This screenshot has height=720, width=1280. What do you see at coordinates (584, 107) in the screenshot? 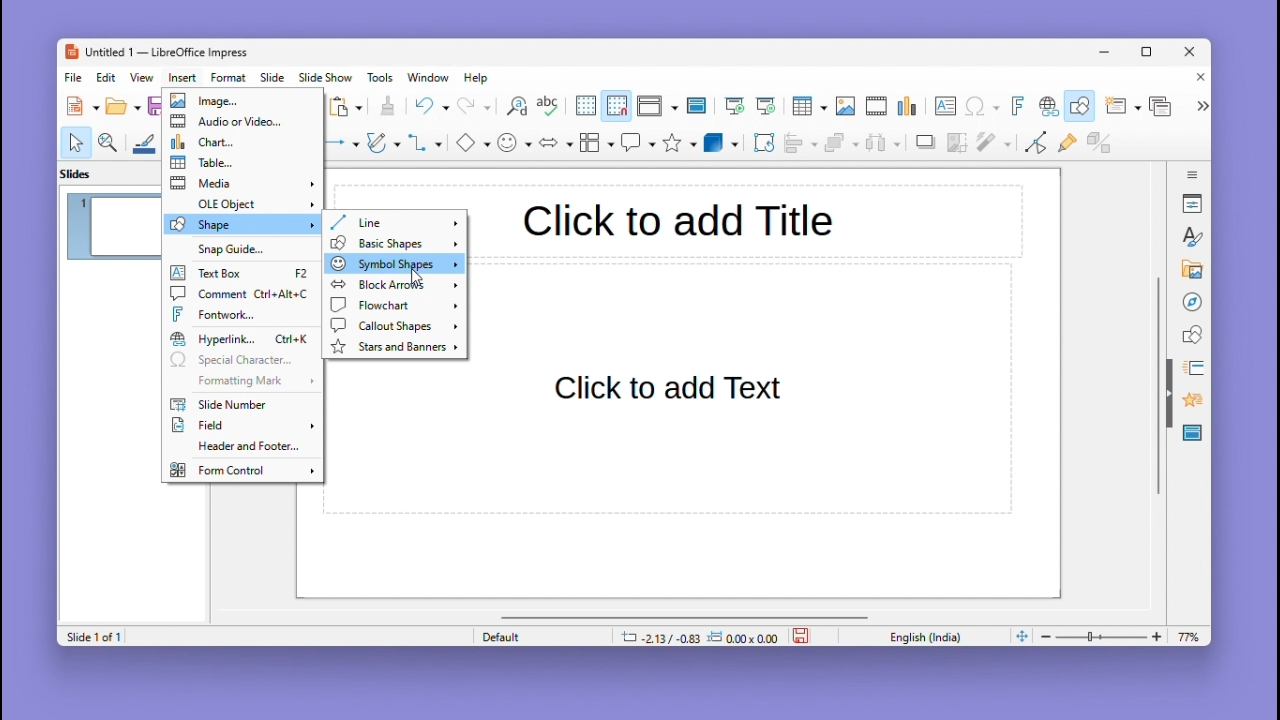
I see `display grid` at bounding box center [584, 107].